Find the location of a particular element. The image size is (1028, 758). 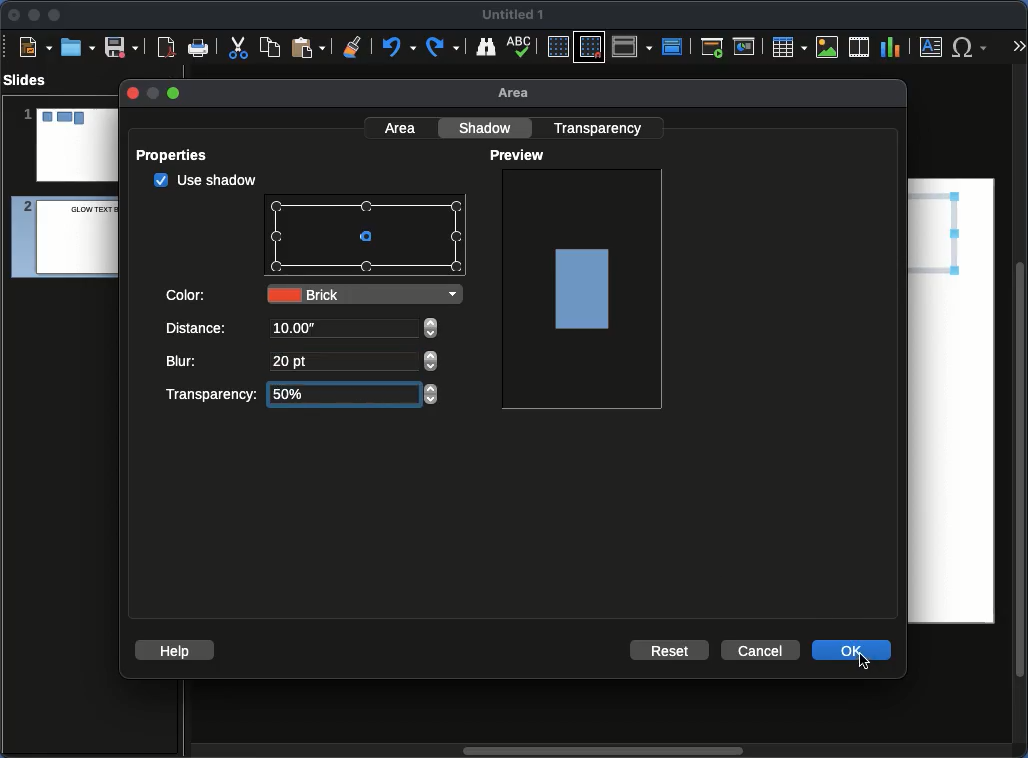

Area is located at coordinates (402, 127).